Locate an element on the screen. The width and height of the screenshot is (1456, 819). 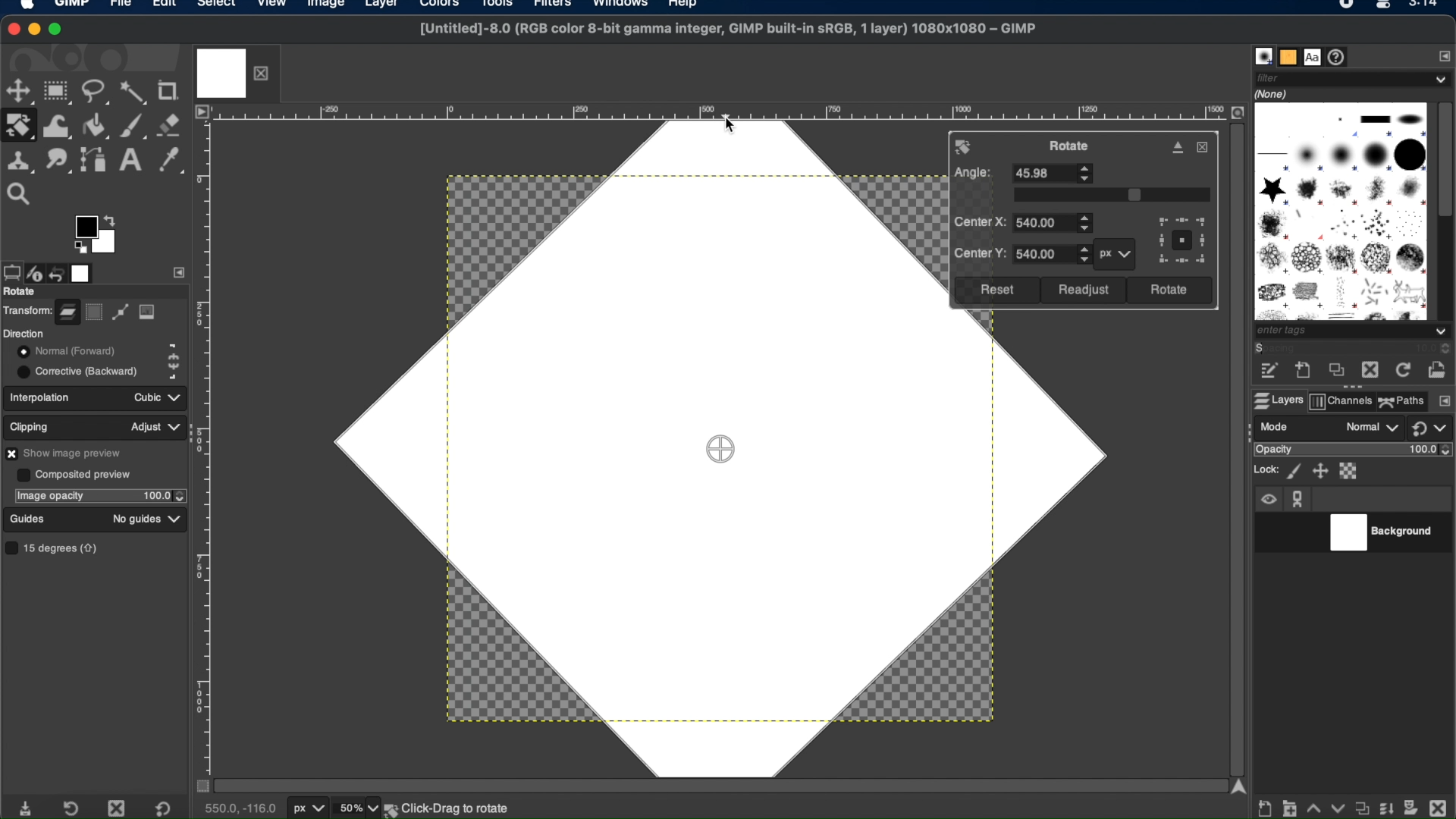
opacity level stepper buttons is located at coordinates (1432, 450).